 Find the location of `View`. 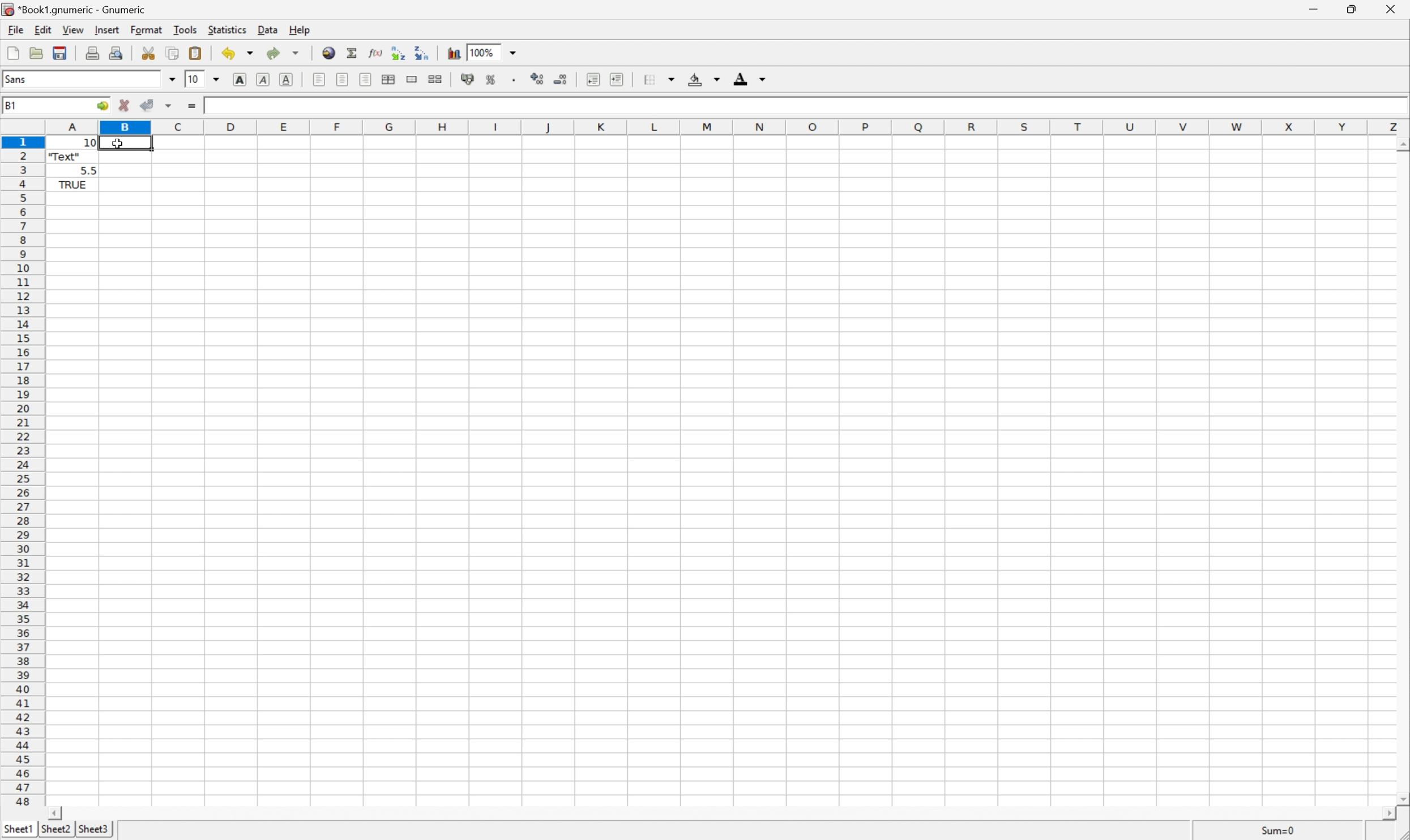

View is located at coordinates (73, 28).